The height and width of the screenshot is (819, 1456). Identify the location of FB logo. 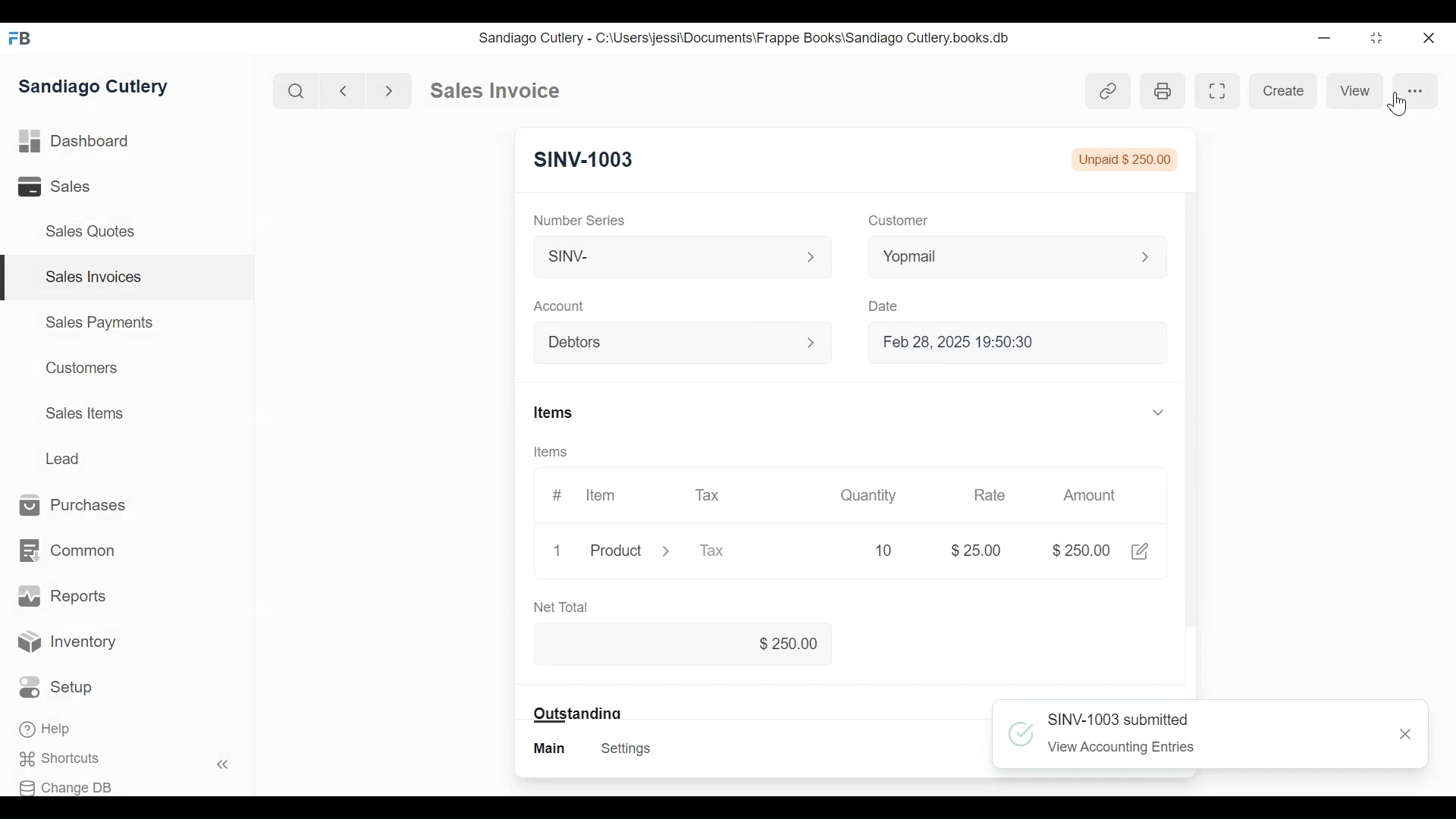
(20, 38).